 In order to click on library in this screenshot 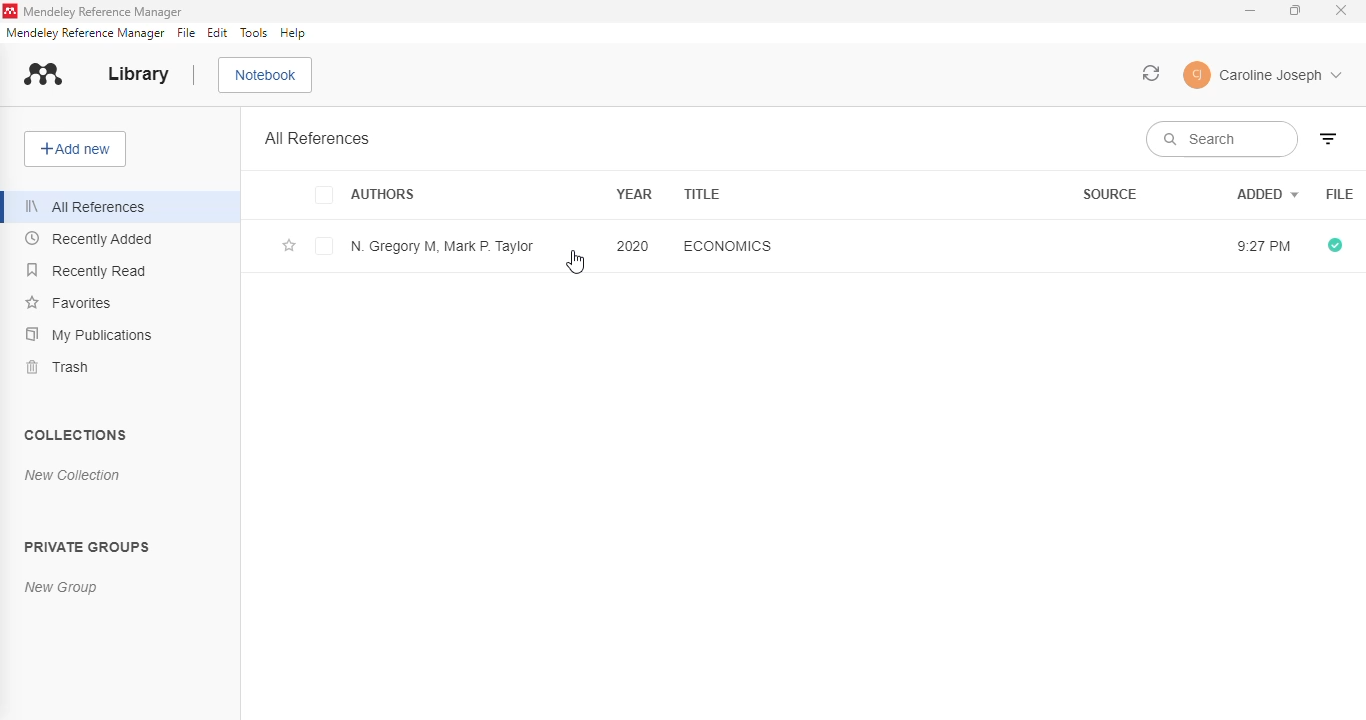, I will do `click(137, 74)`.